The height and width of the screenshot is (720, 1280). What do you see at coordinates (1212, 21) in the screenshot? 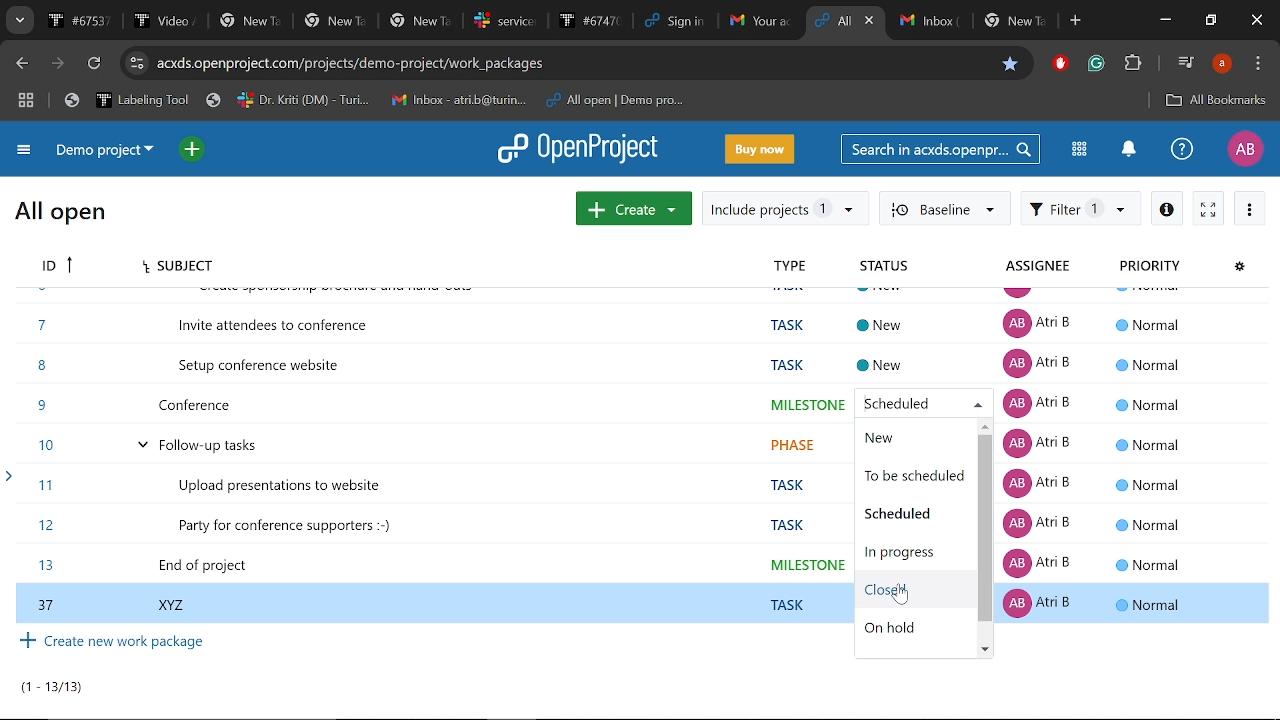
I see `Restore down` at bounding box center [1212, 21].